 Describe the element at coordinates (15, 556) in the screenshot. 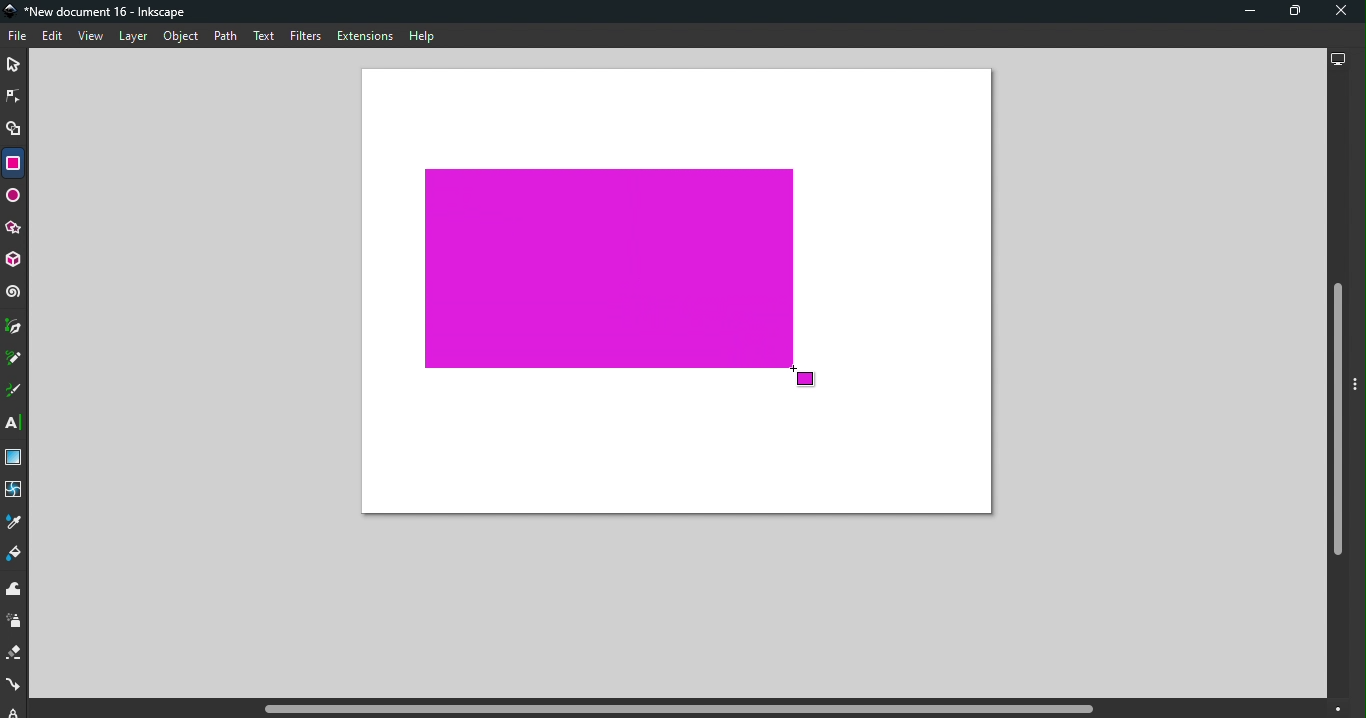

I see `Paint bucket tool` at that location.